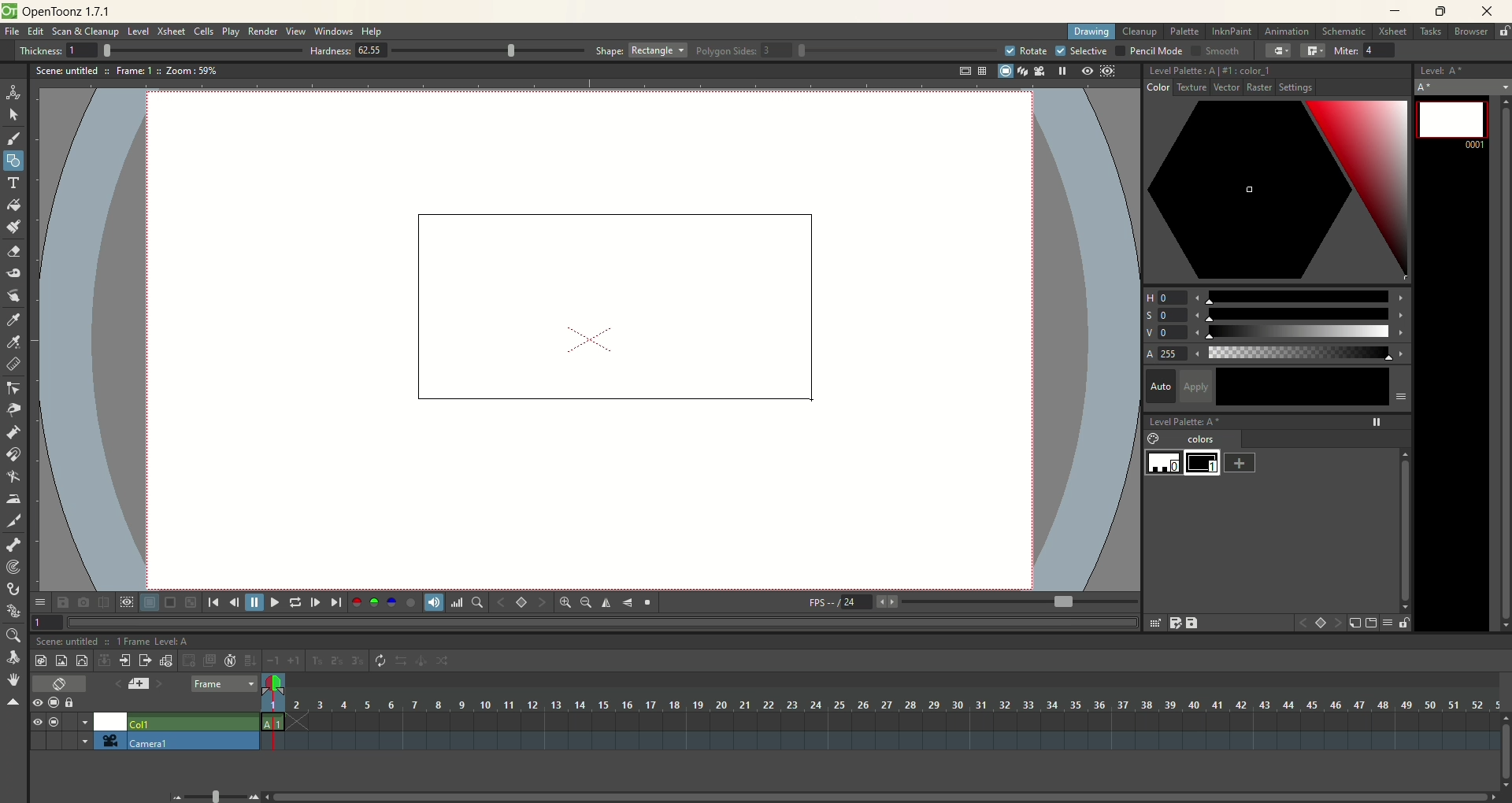 This screenshot has width=1512, height=803. What do you see at coordinates (126, 661) in the screenshot?
I see `open sub-Xsheet` at bounding box center [126, 661].